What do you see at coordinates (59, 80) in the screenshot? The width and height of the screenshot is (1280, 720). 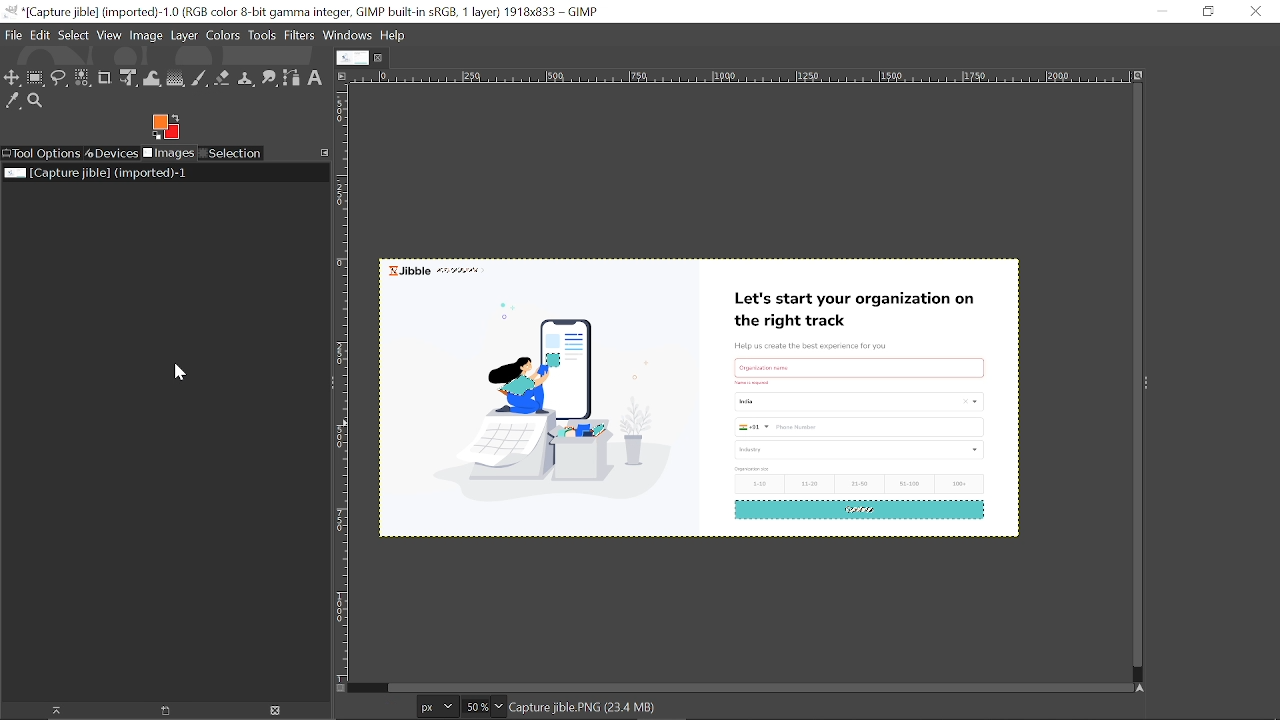 I see `Free select tool` at bounding box center [59, 80].